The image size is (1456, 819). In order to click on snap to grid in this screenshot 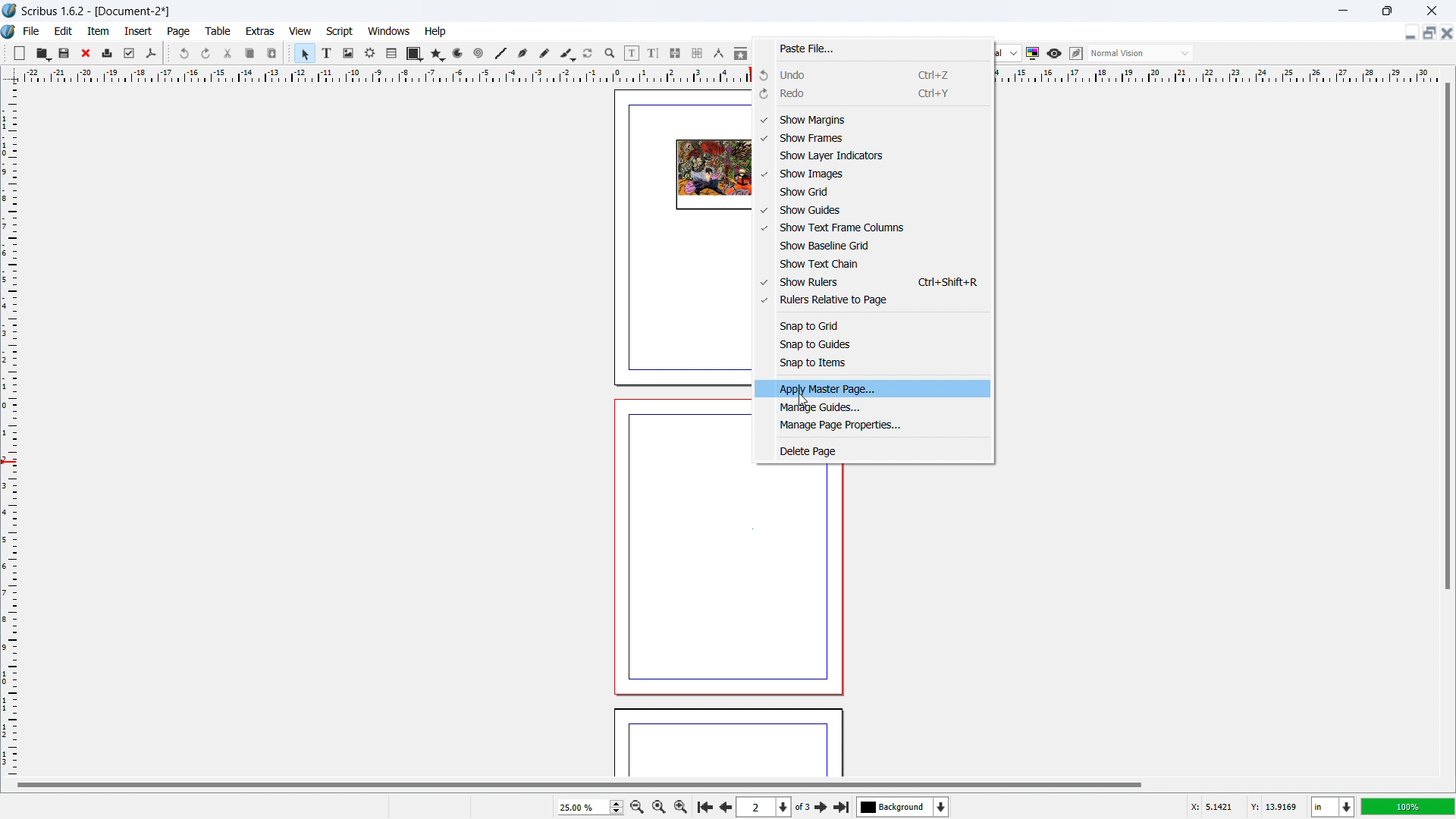, I will do `click(873, 325)`.